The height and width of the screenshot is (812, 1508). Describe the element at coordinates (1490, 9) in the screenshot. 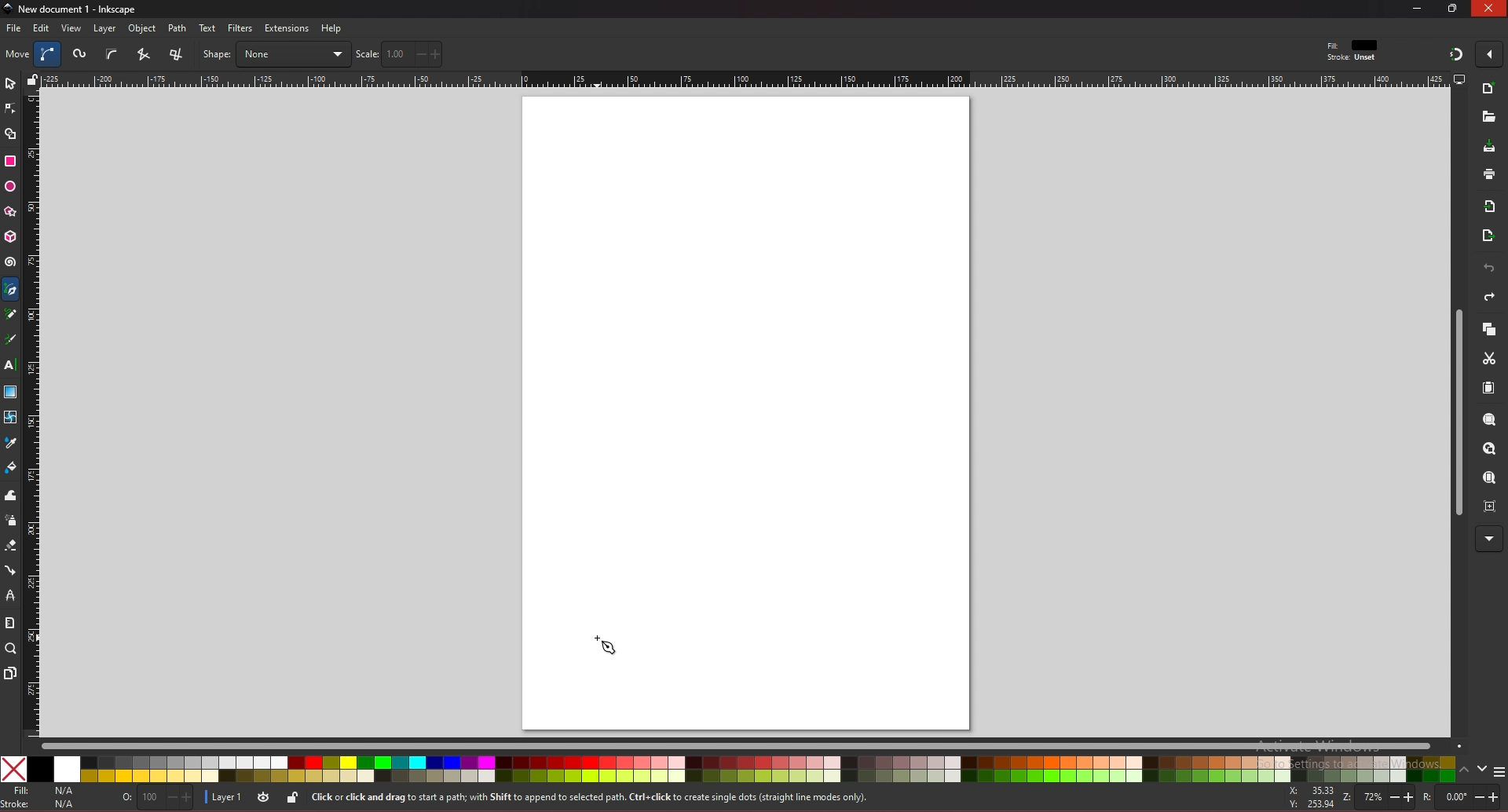

I see `close` at that location.